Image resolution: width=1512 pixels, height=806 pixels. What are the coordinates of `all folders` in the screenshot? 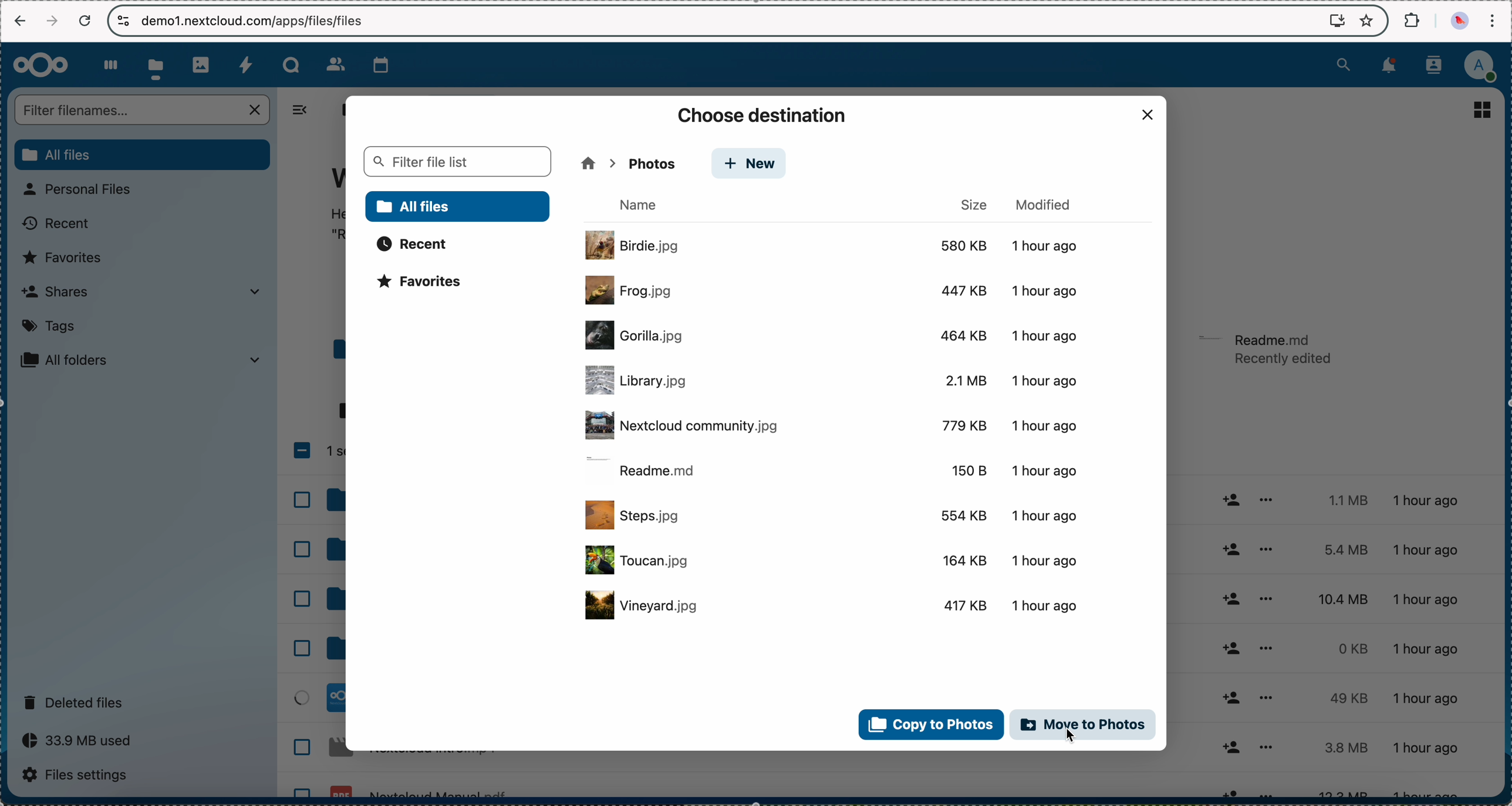 It's located at (141, 361).